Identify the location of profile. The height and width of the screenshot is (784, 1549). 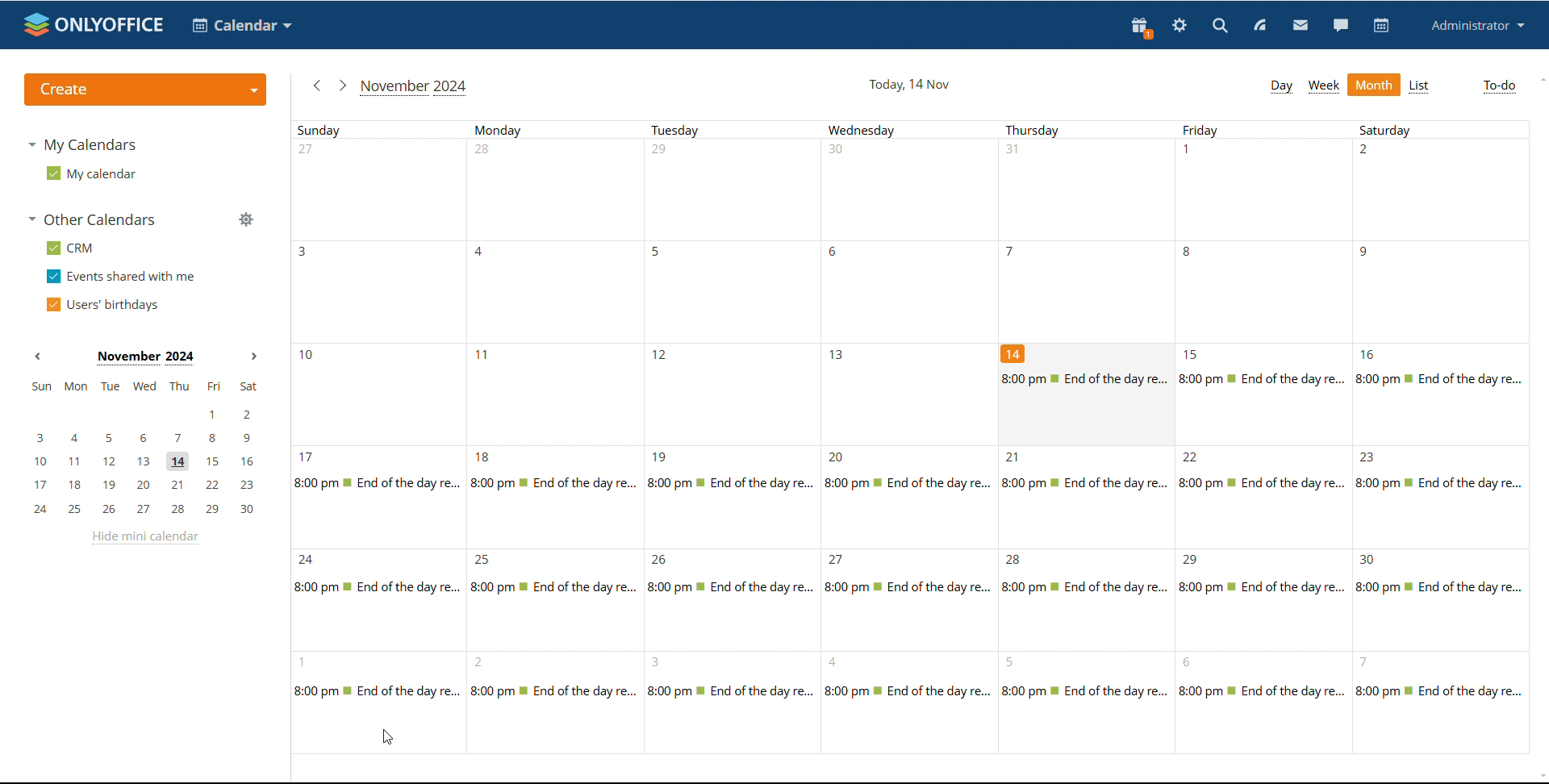
(1478, 25).